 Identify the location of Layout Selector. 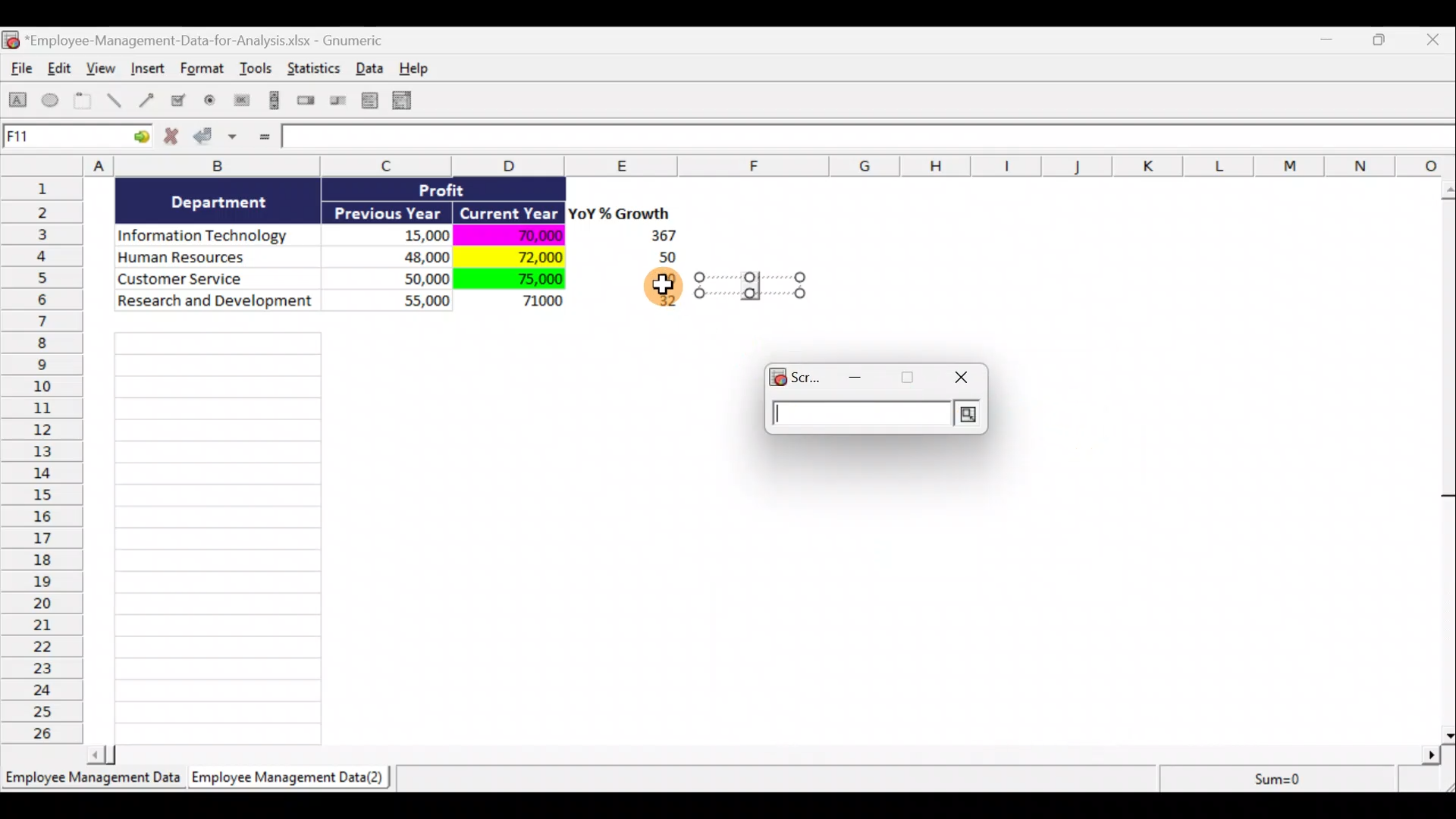
(967, 415).